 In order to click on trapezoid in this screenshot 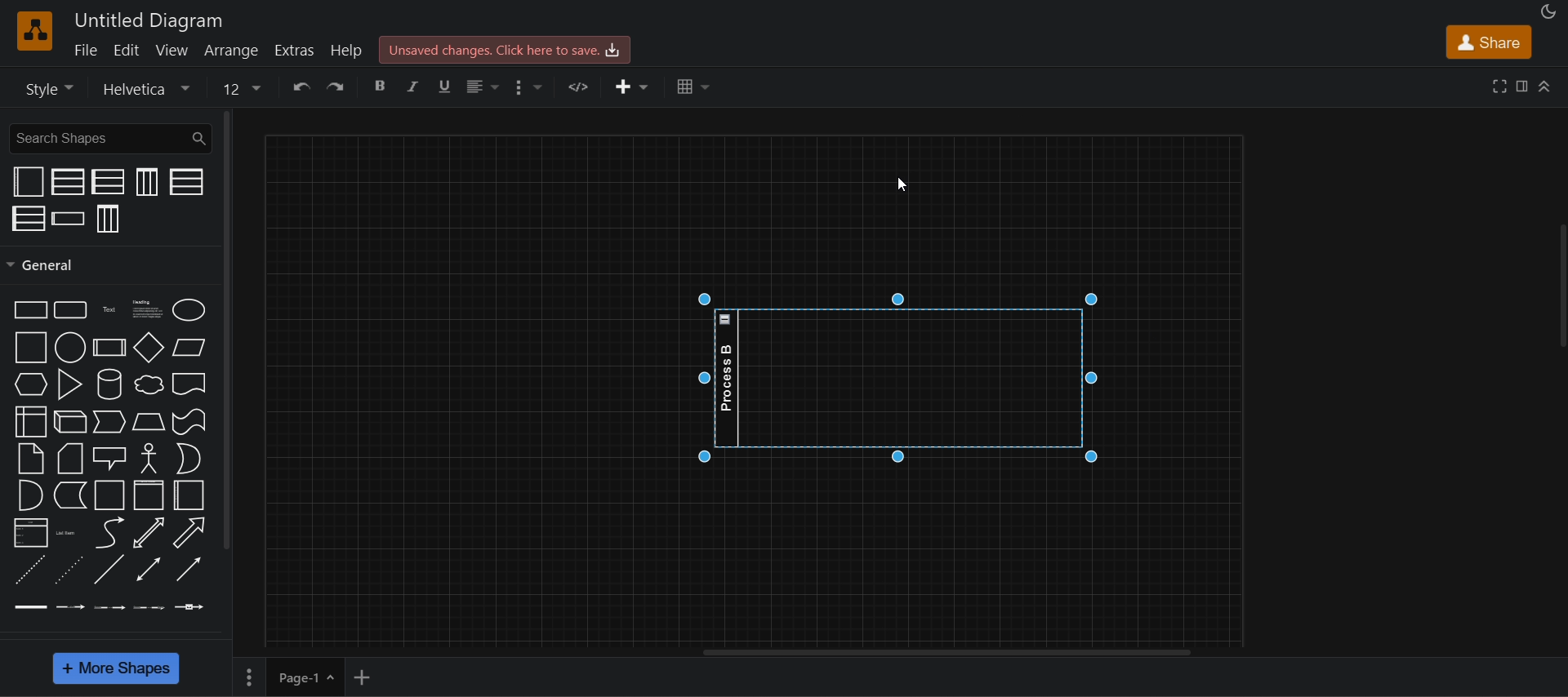, I will do `click(149, 421)`.